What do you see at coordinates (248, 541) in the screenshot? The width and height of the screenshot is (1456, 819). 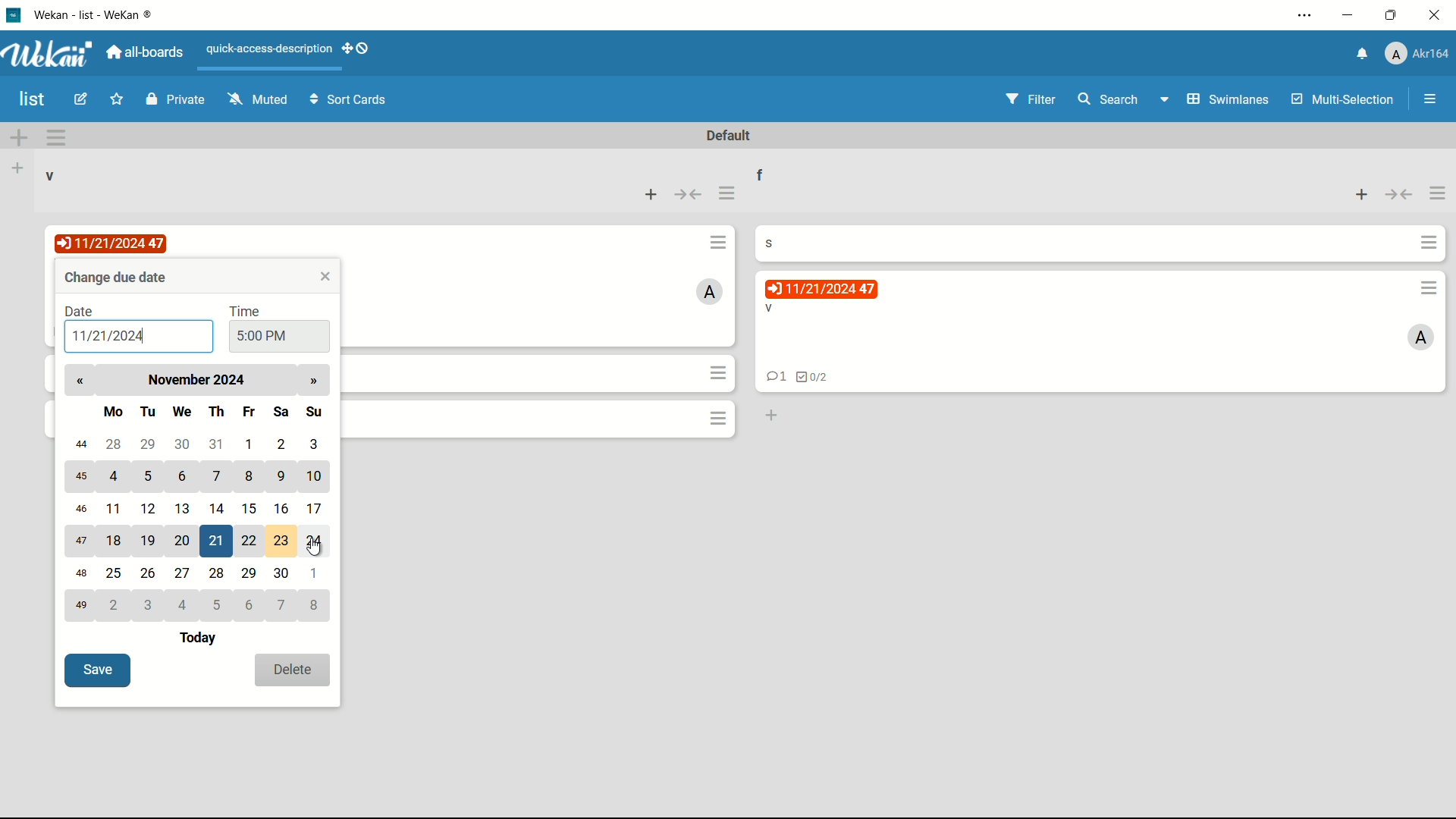 I see `22` at bounding box center [248, 541].